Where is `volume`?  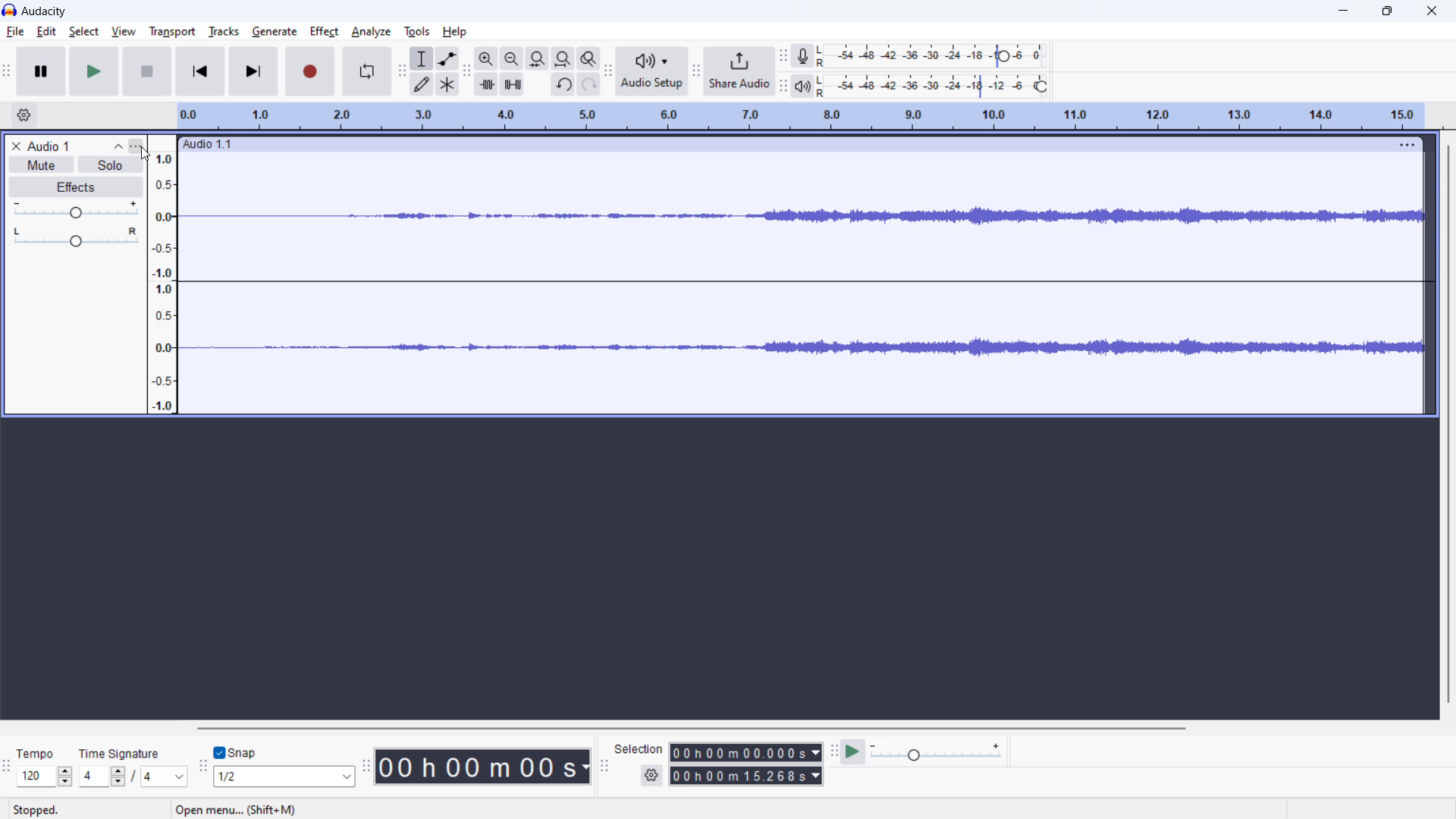
volume is located at coordinates (76, 209).